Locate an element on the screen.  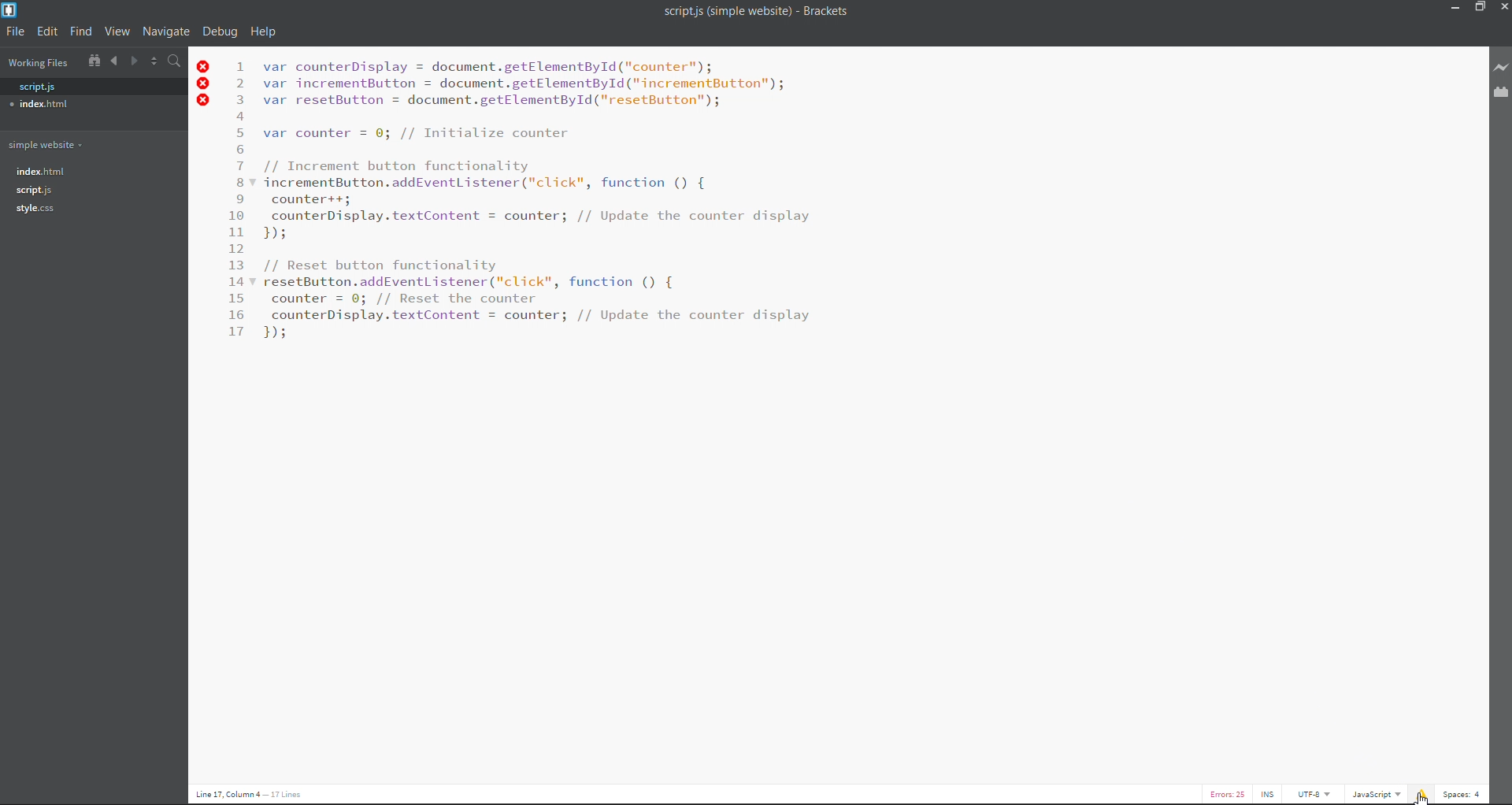
edit is located at coordinates (47, 32).